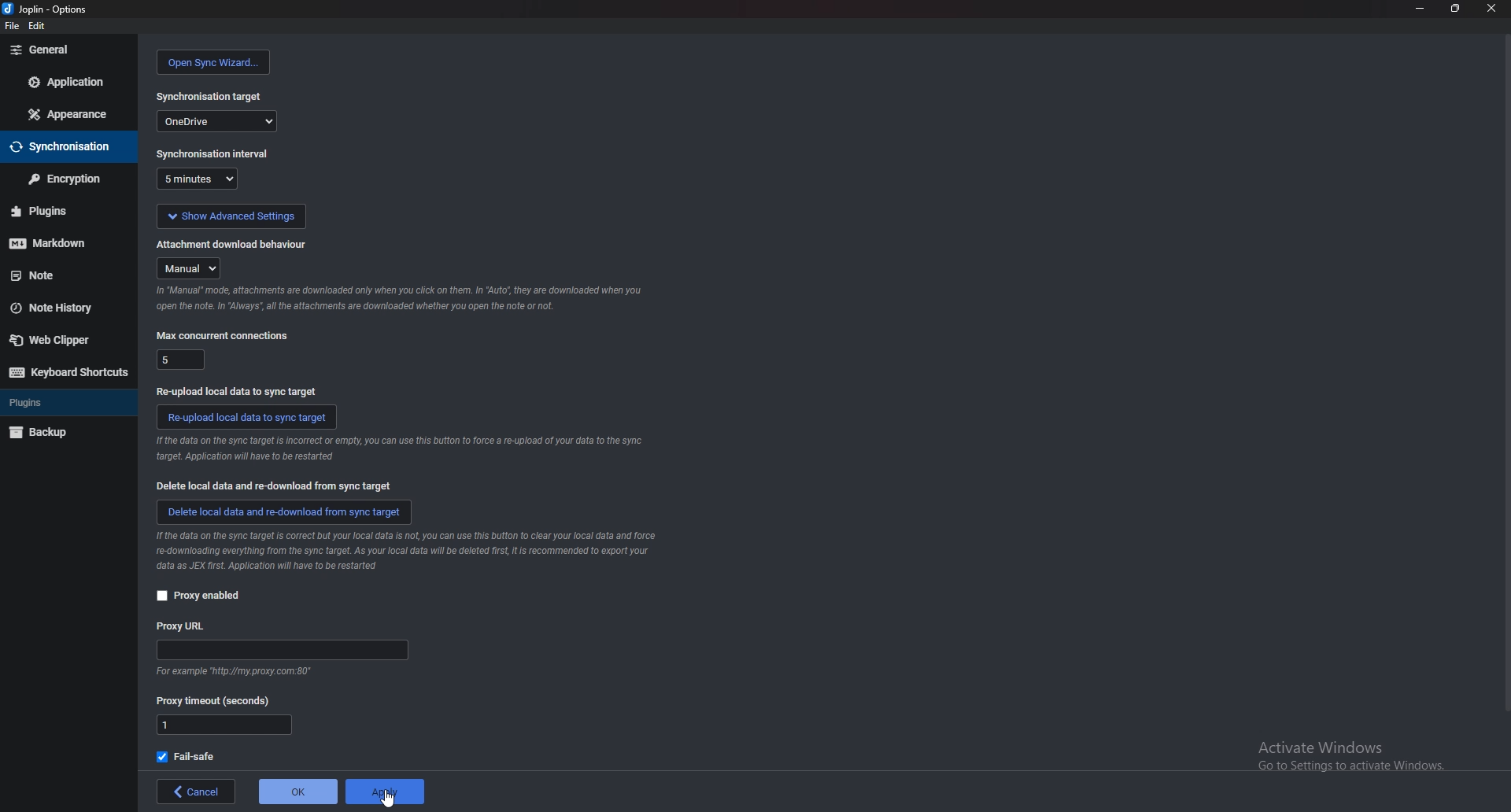 The height and width of the screenshot is (812, 1511). I want to click on proxy url, so click(182, 627).